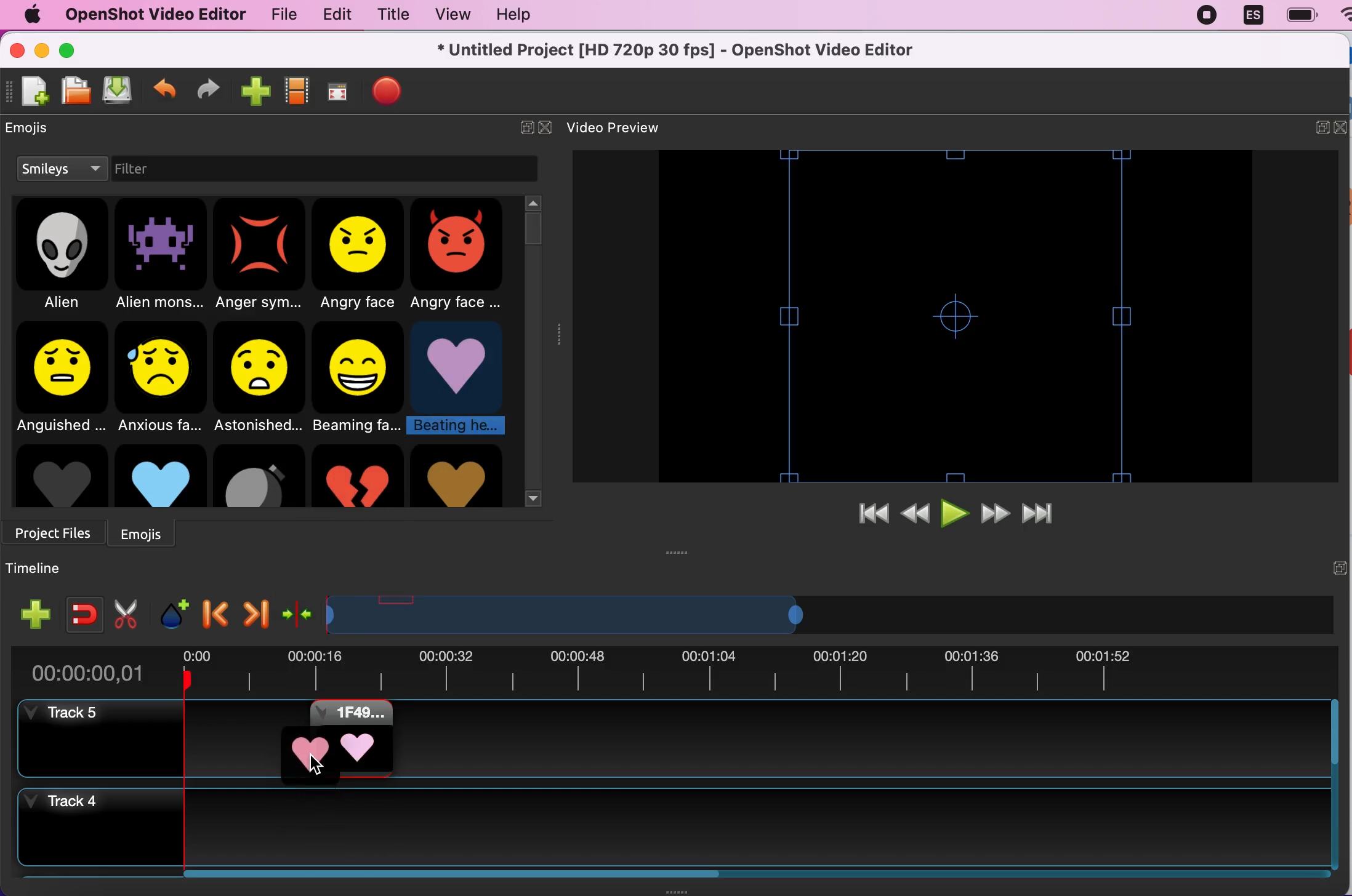  What do you see at coordinates (150, 14) in the screenshot?
I see `openshot video editor` at bounding box center [150, 14].